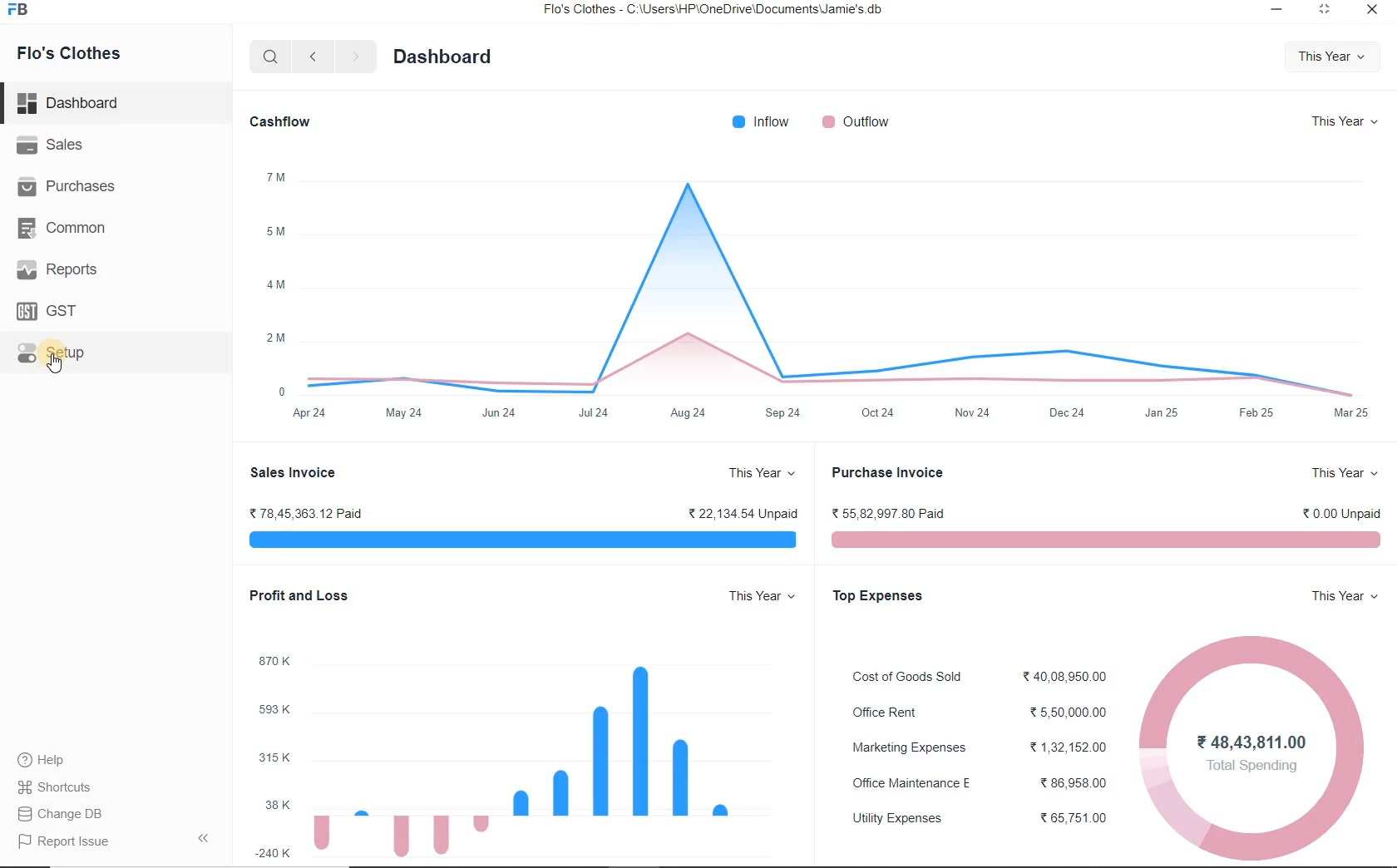  Describe the element at coordinates (207, 836) in the screenshot. I see `Arrow` at that location.